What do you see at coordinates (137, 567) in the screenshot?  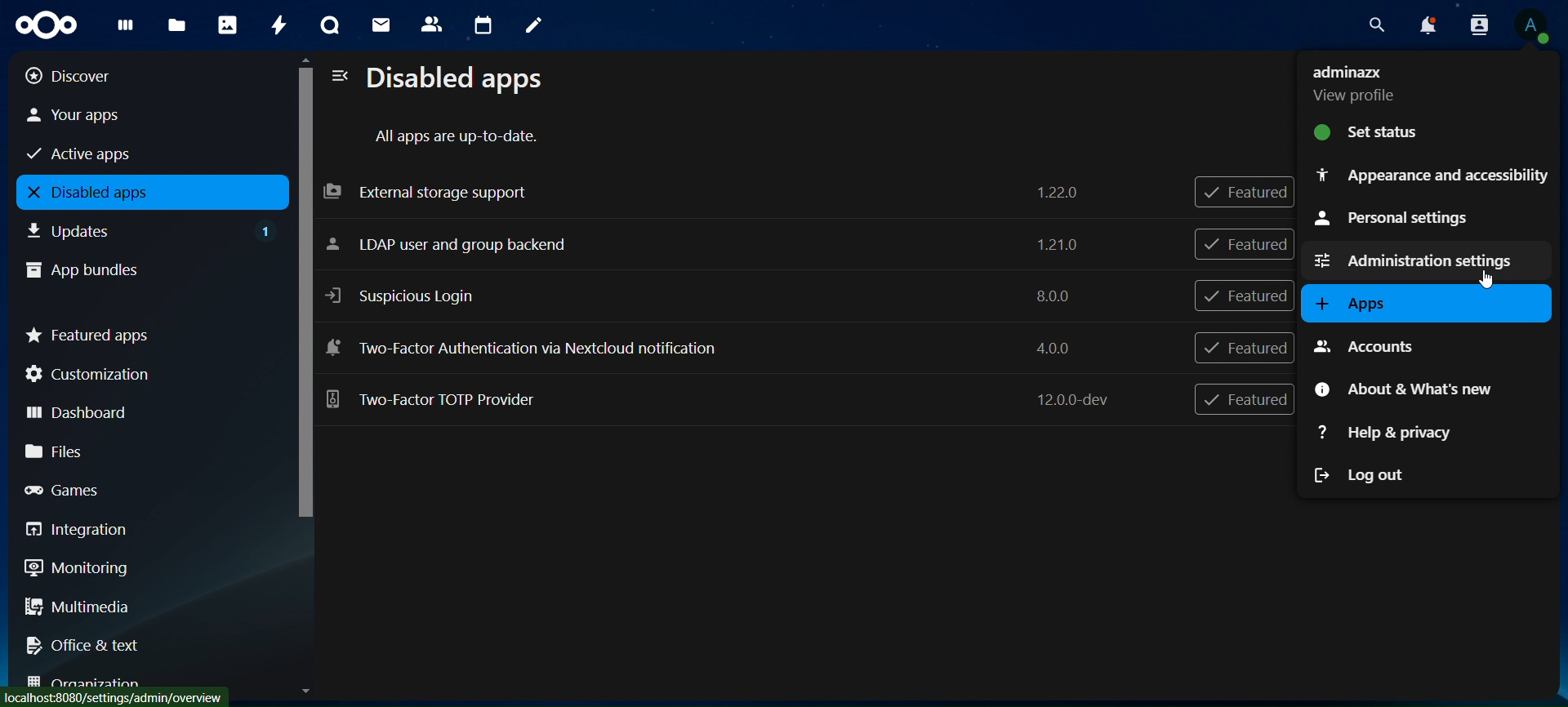 I see `monitoring` at bounding box center [137, 567].